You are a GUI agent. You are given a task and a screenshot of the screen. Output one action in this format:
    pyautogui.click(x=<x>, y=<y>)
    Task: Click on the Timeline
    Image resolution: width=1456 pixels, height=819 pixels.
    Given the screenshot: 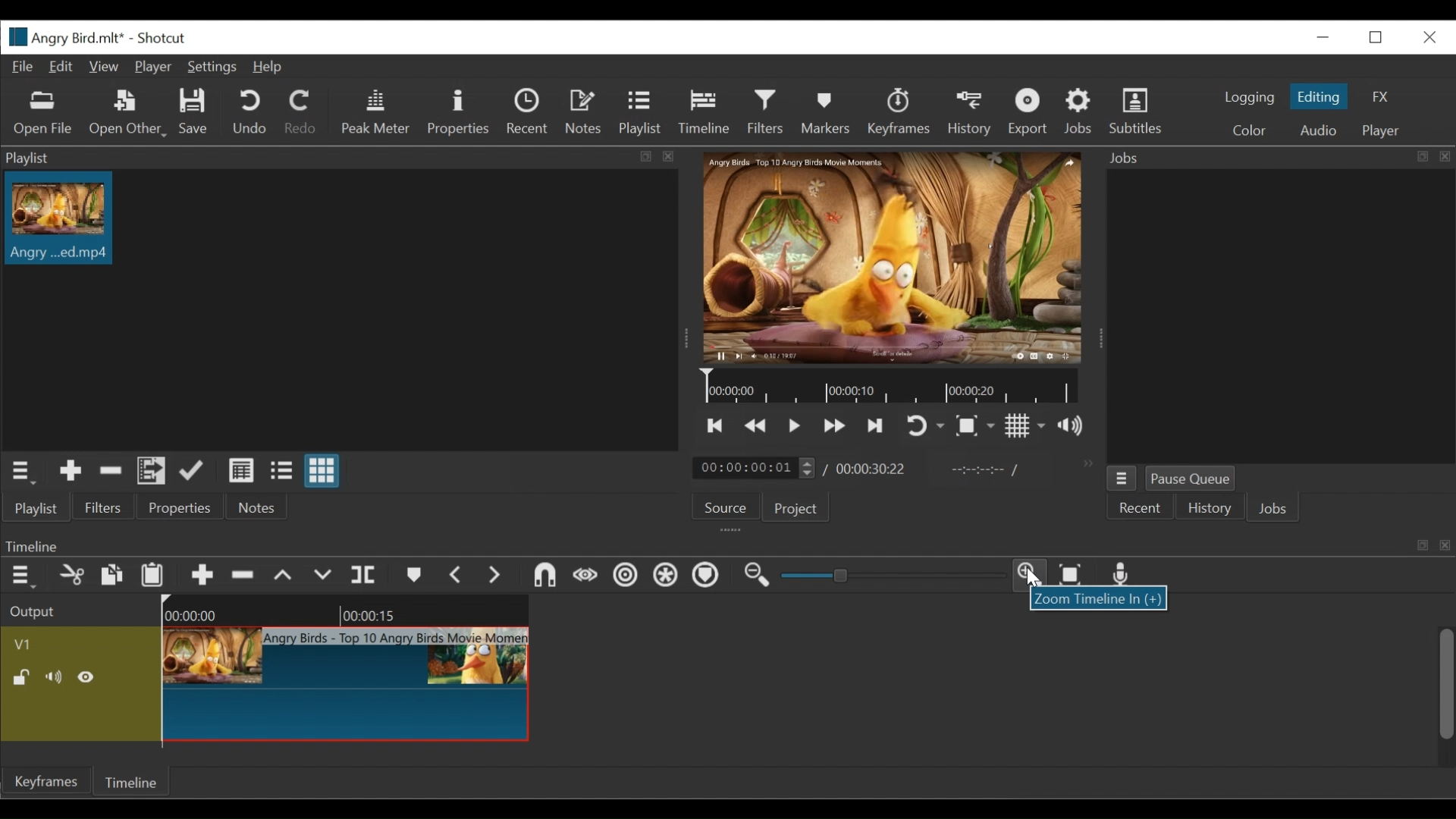 What is the action you would take?
    pyautogui.click(x=704, y=113)
    